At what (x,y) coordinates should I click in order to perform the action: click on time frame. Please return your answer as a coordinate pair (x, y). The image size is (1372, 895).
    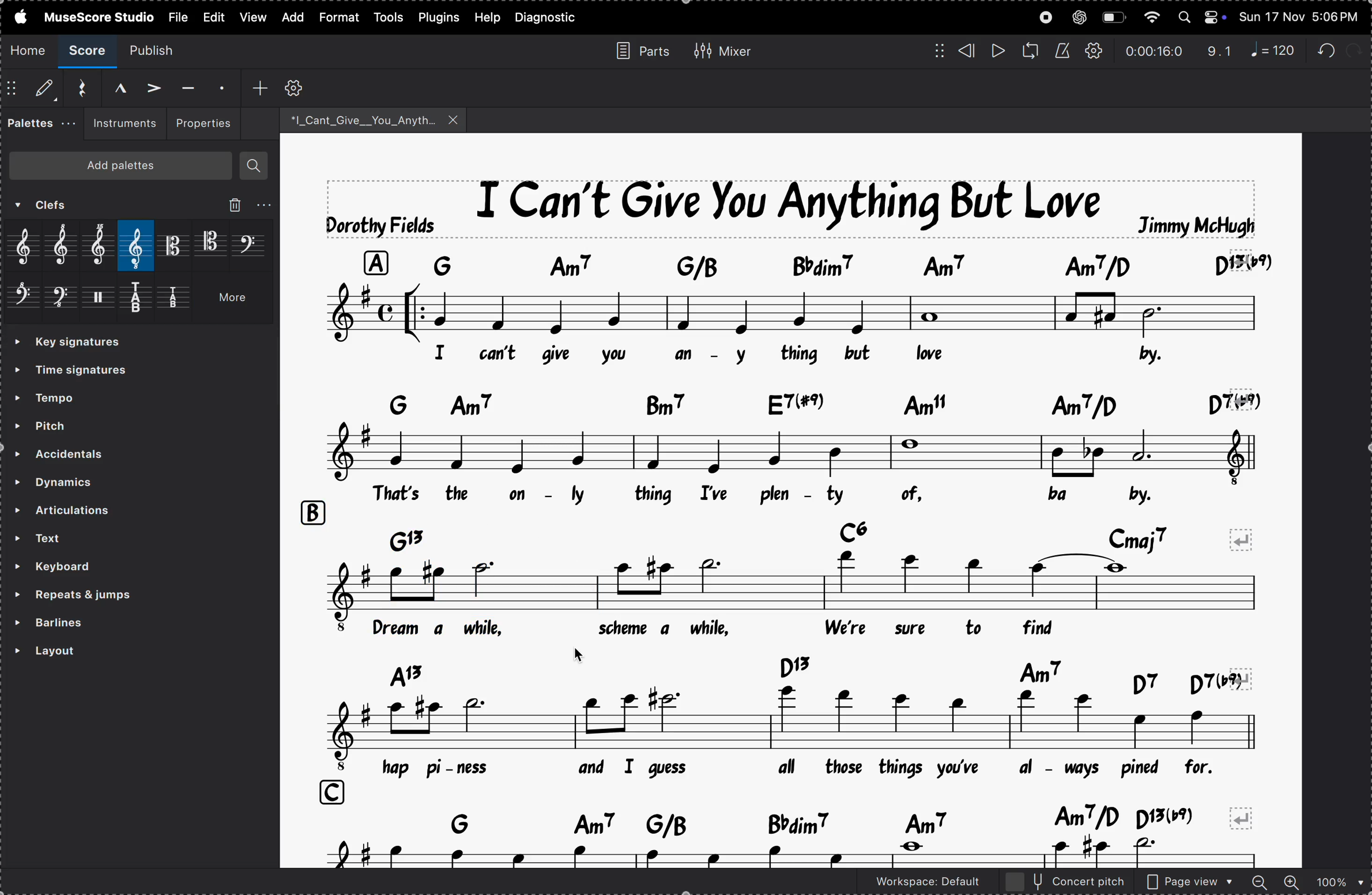
    Looking at the image, I should click on (1154, 51).